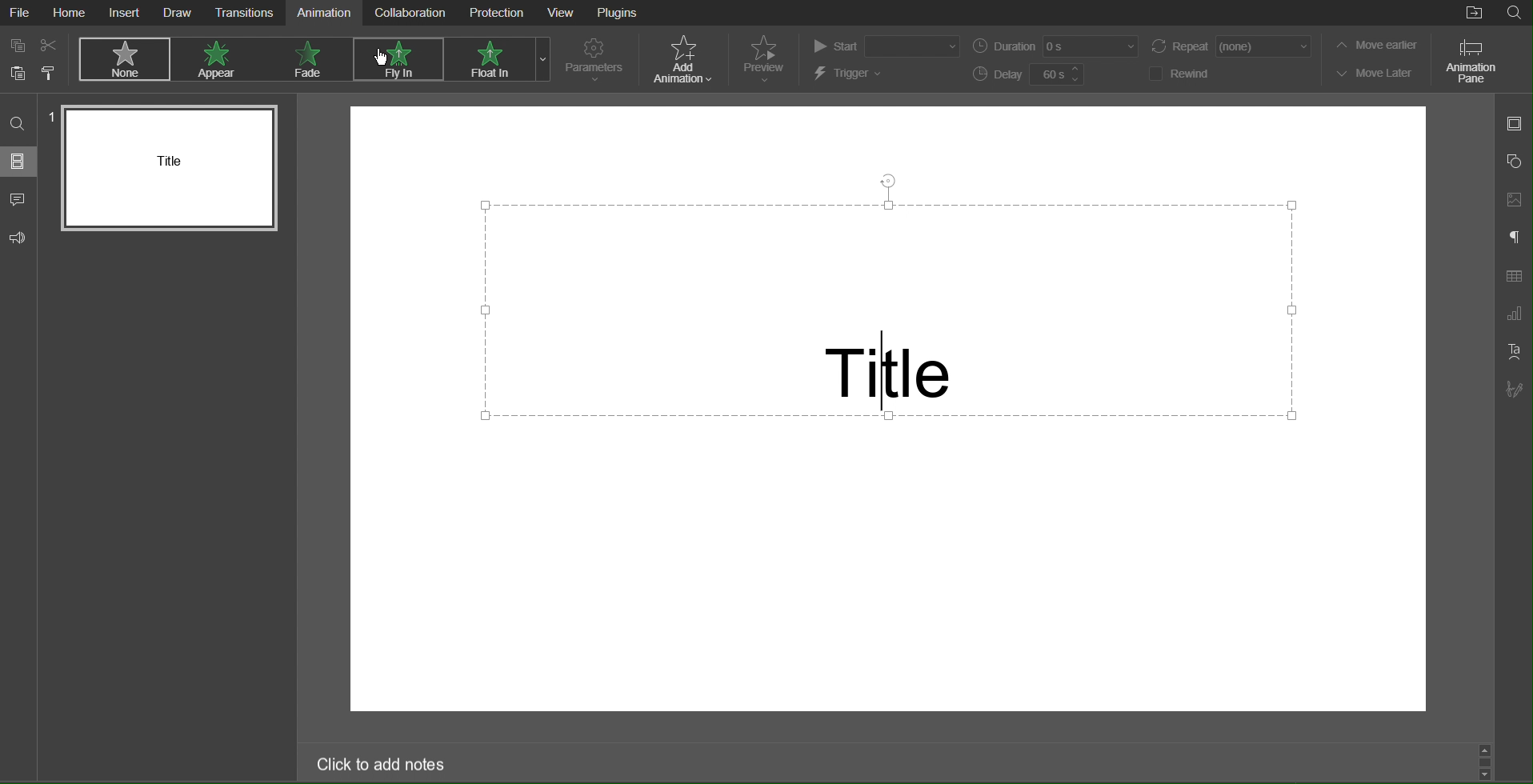 This screenshot has height=784, width=1533. Describe the element at coordinates (1514, 389) in the screenshot. I see `Signature` at that location.